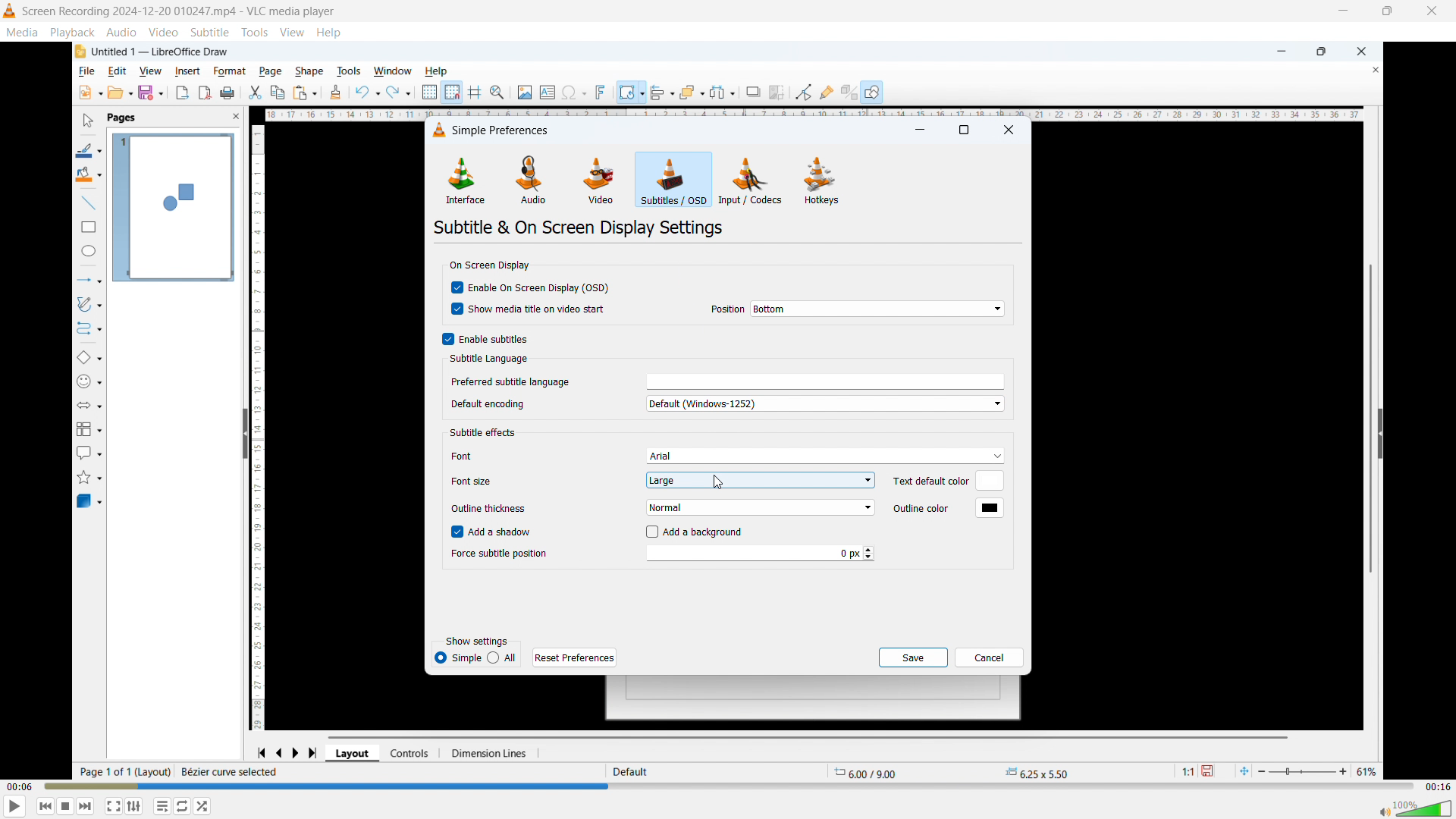  I want to click on Video duration , so click(1438, 787).